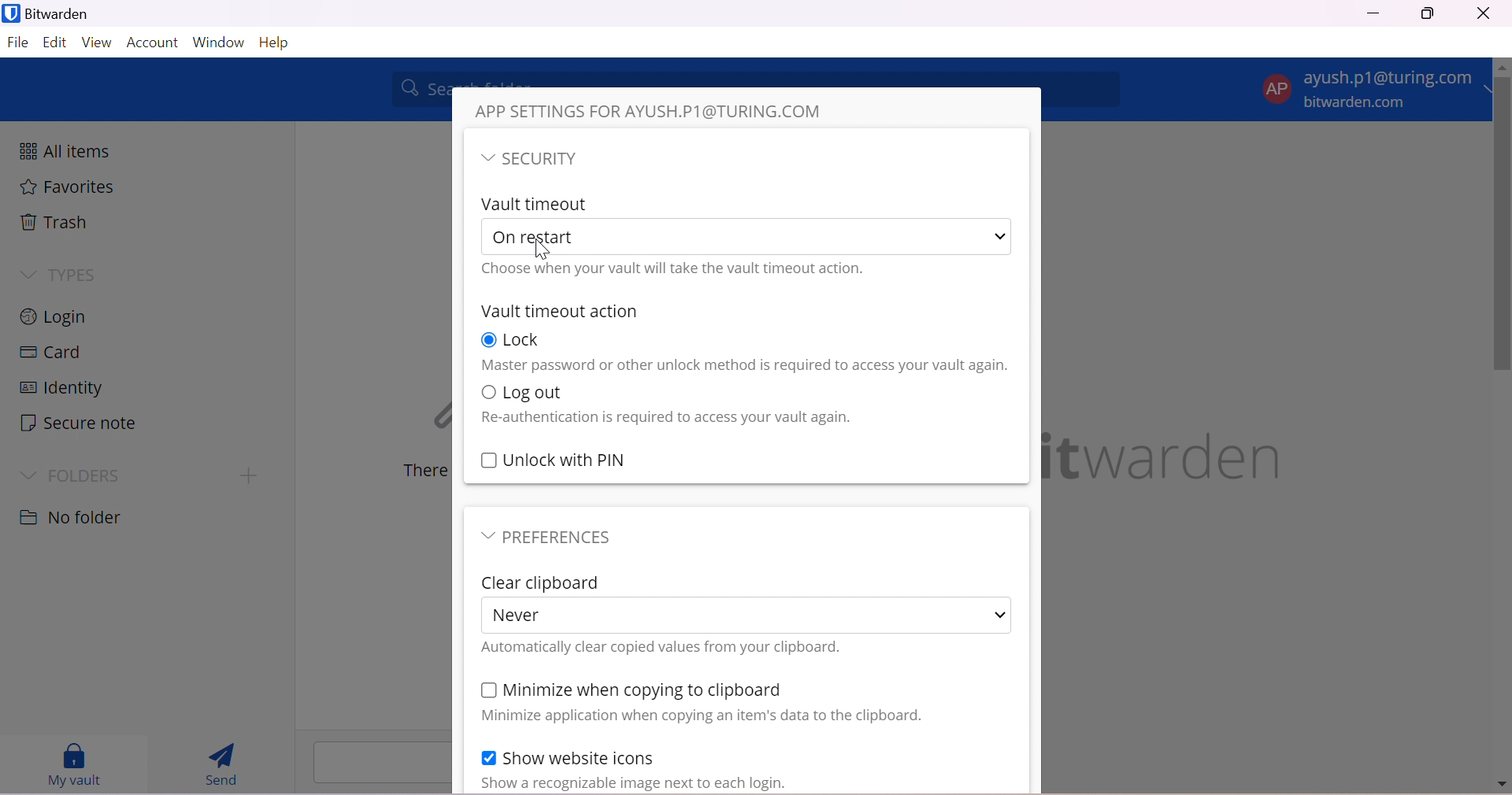 This screenshot has height=795, width=1512. What do you see at coordinates (78, 423) in the screenshot?
I see `Secure note` at bounding box center [78, 423].